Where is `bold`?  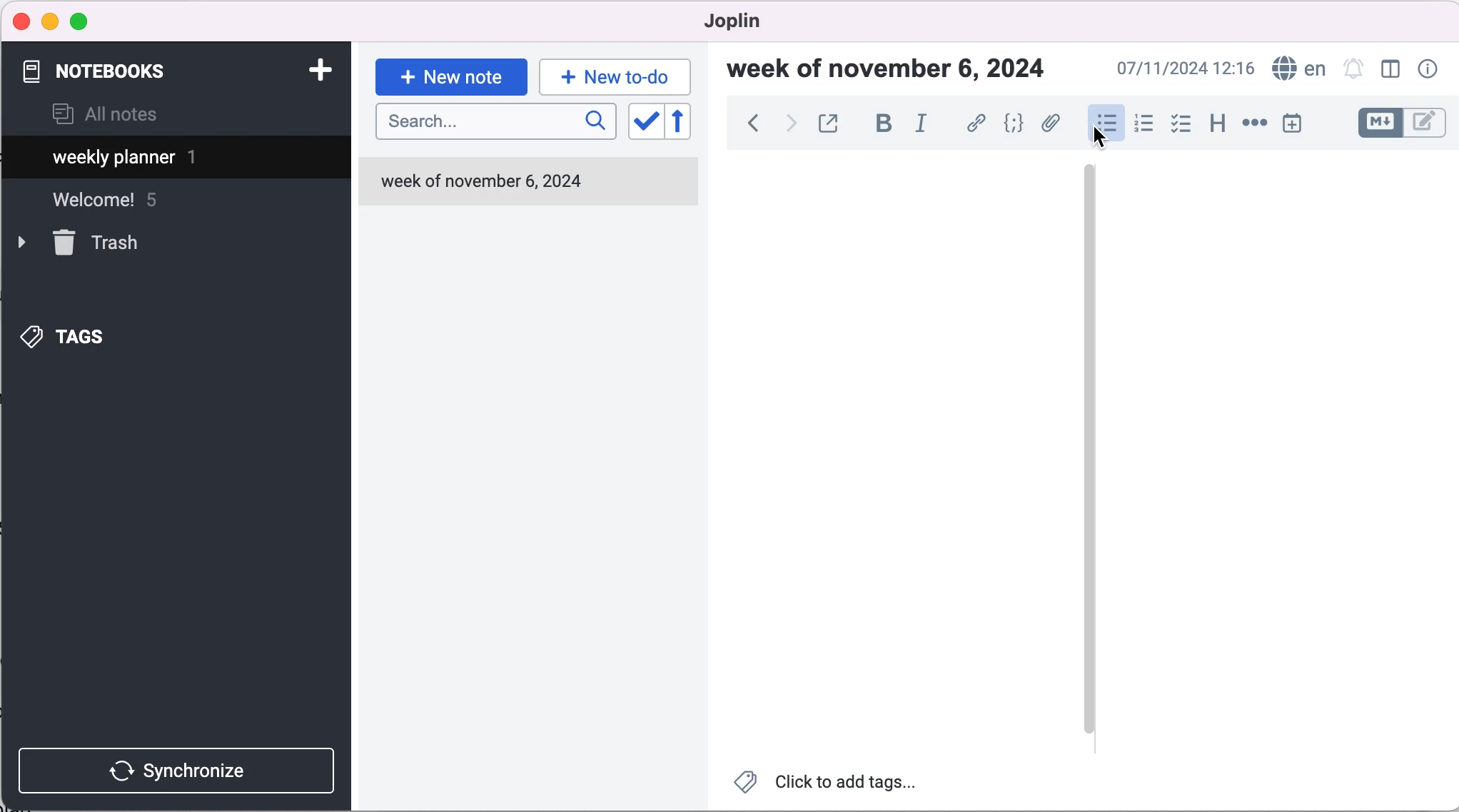
bold is located at coordinates (883, 124).